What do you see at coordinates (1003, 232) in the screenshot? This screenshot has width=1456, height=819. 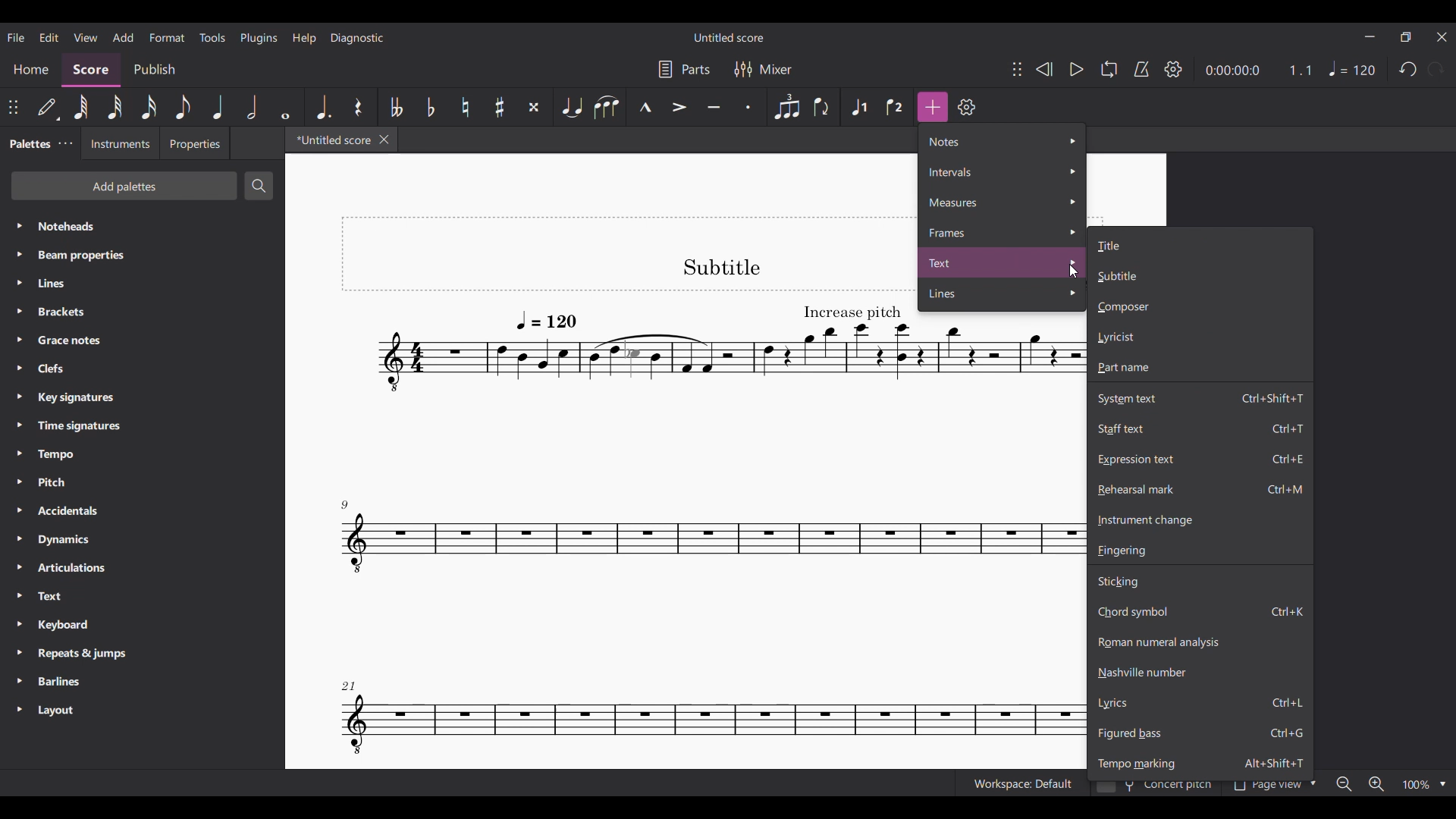 I see `Frame options` at bounding box center [1003, 232].